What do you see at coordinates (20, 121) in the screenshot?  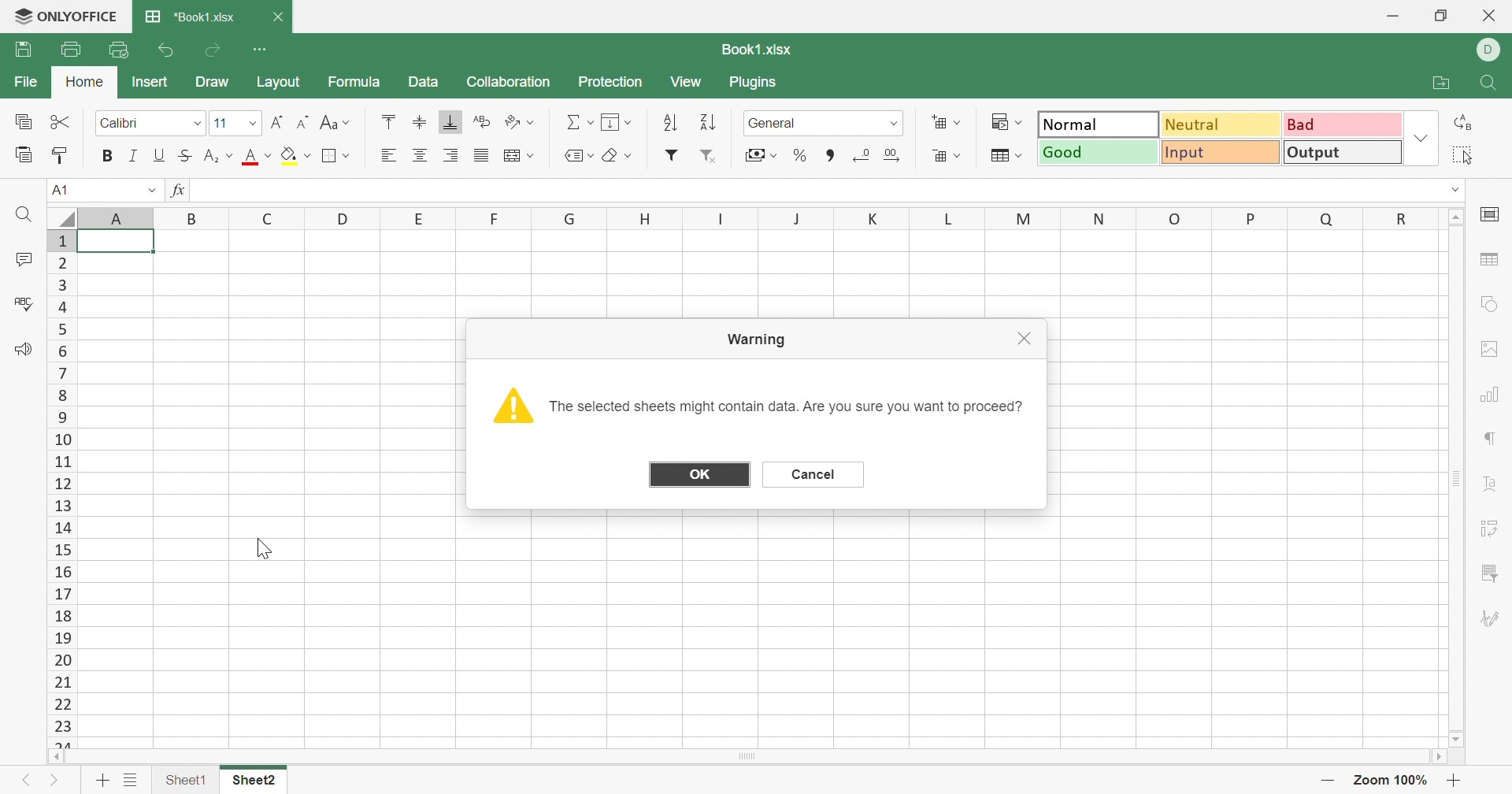 I see `Copy` at bounding box center [20, 121].